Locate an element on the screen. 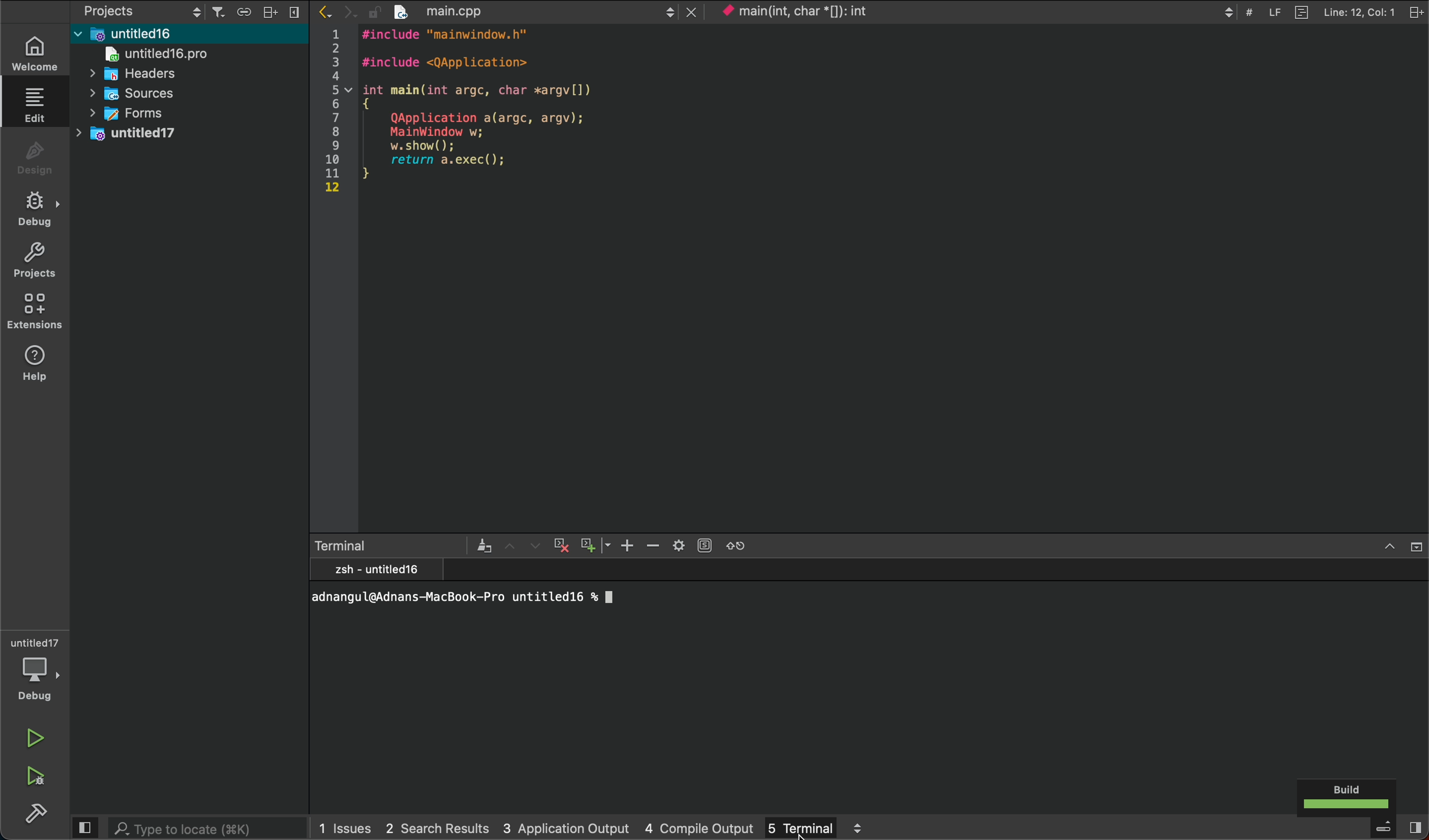 This screenshot has height=840, width=1429. cursor is located at coordinates (800, 833).